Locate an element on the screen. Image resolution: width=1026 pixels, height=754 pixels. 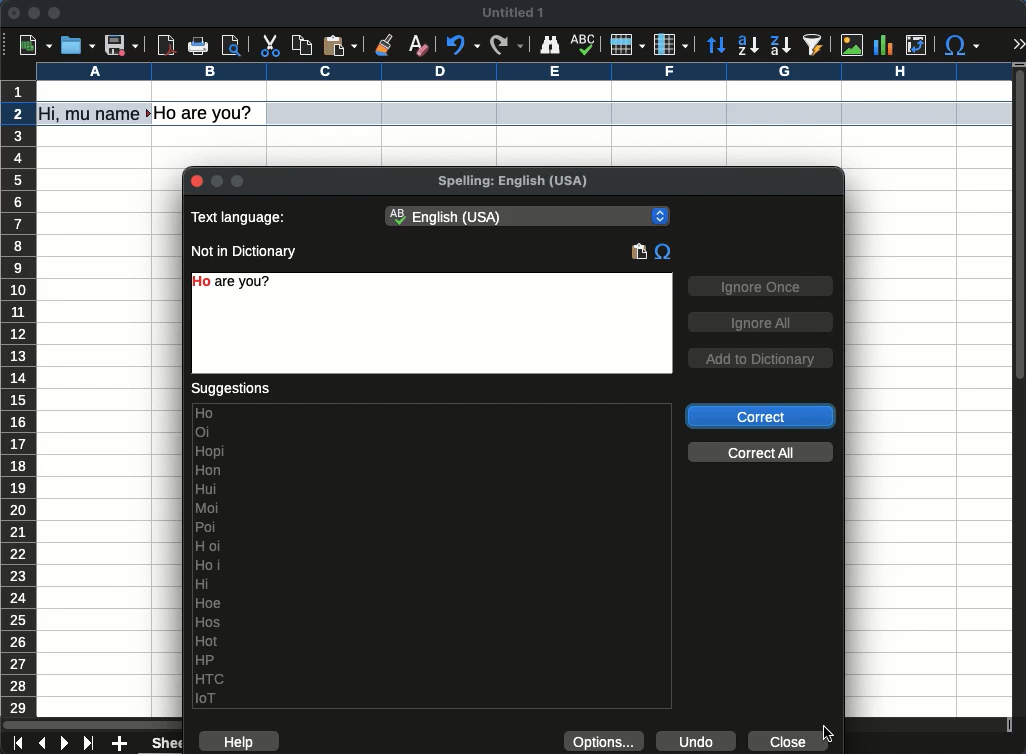
add is located at coordinates (121, 743).